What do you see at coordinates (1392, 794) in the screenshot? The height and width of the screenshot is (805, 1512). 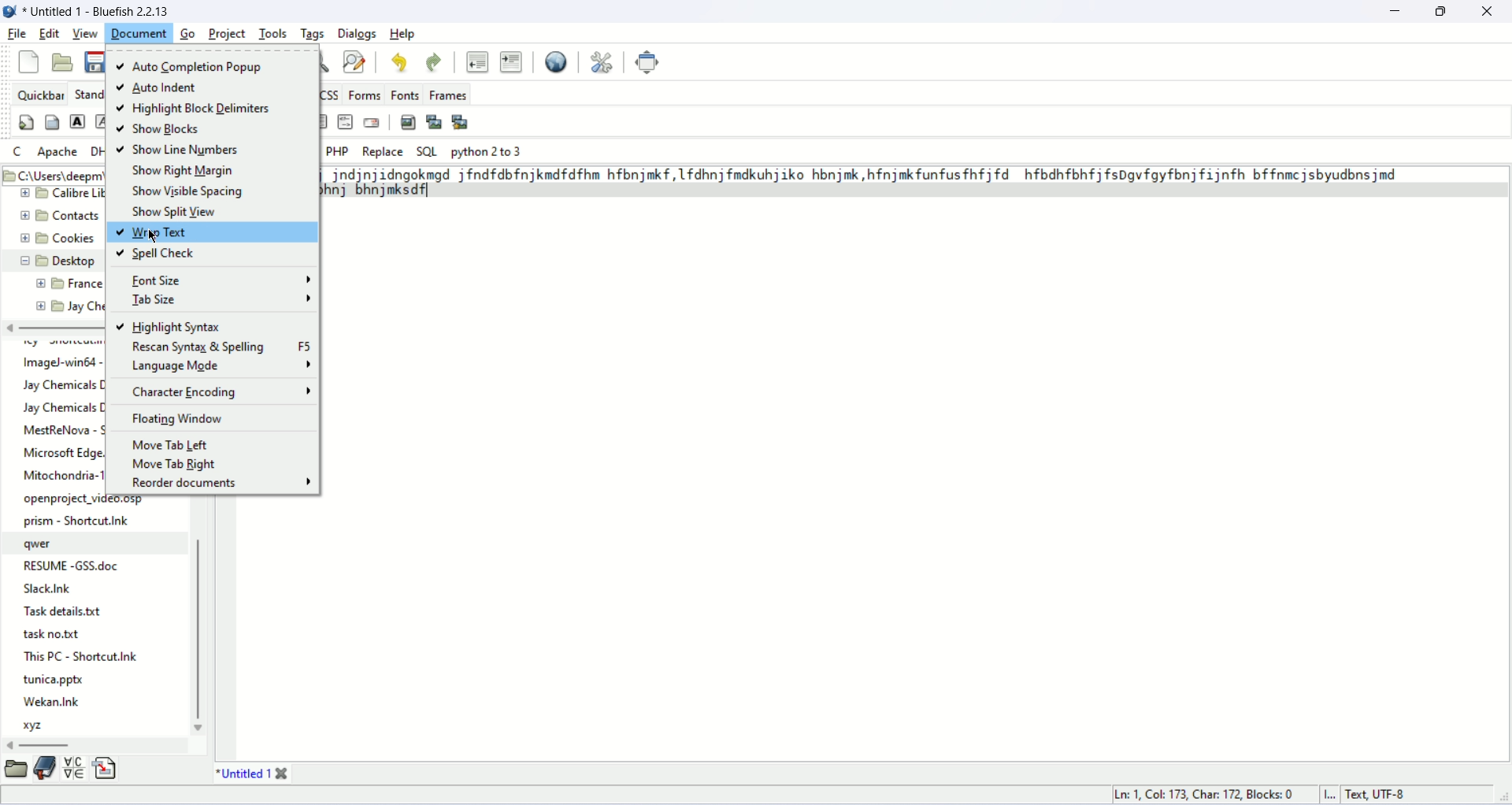 I see `text, UTF-8` at bounding box center [1392, 794].